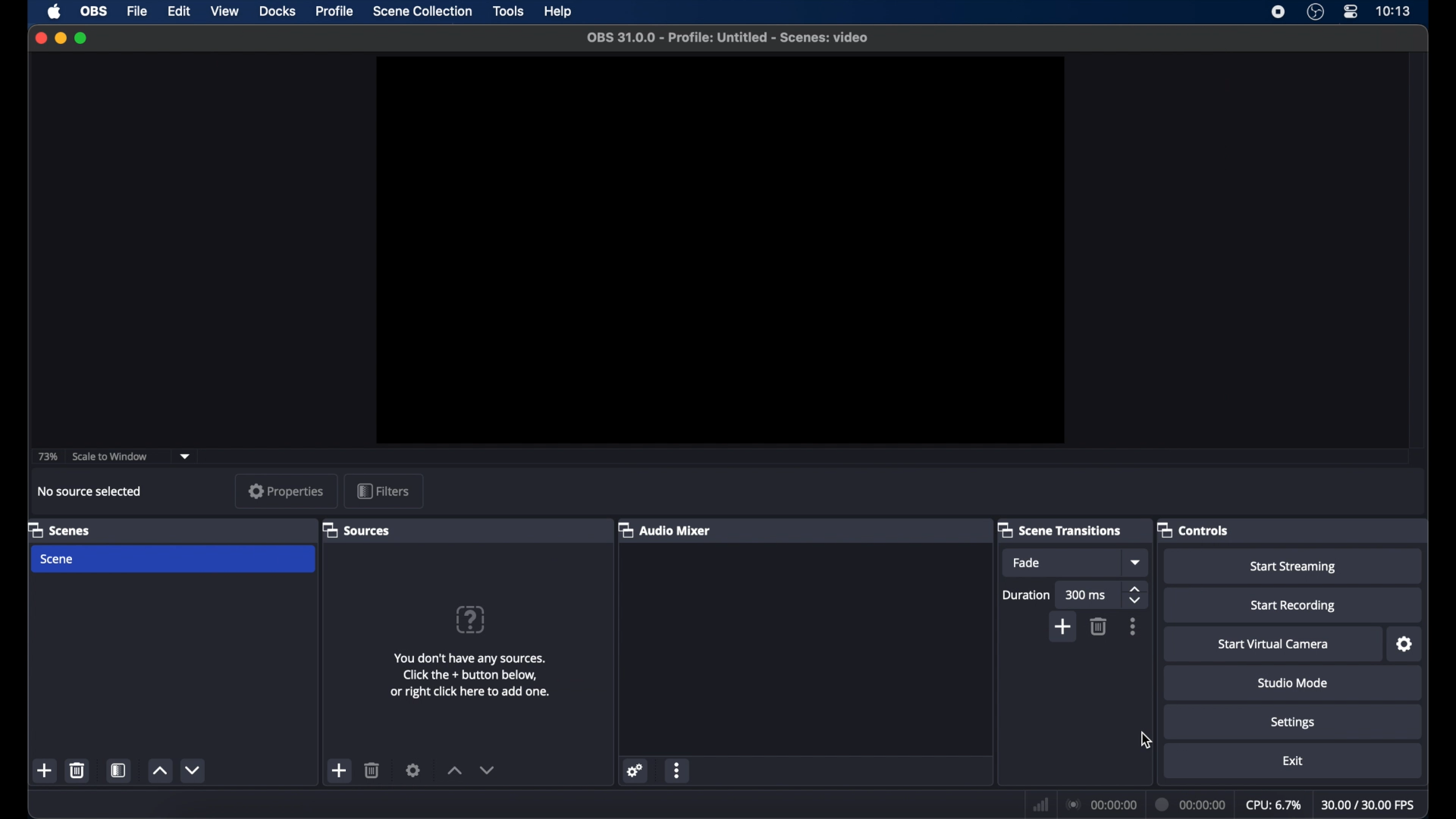  Describe the element at coordinates (1294, 761) in the screenshot. I see `exit` at that location.